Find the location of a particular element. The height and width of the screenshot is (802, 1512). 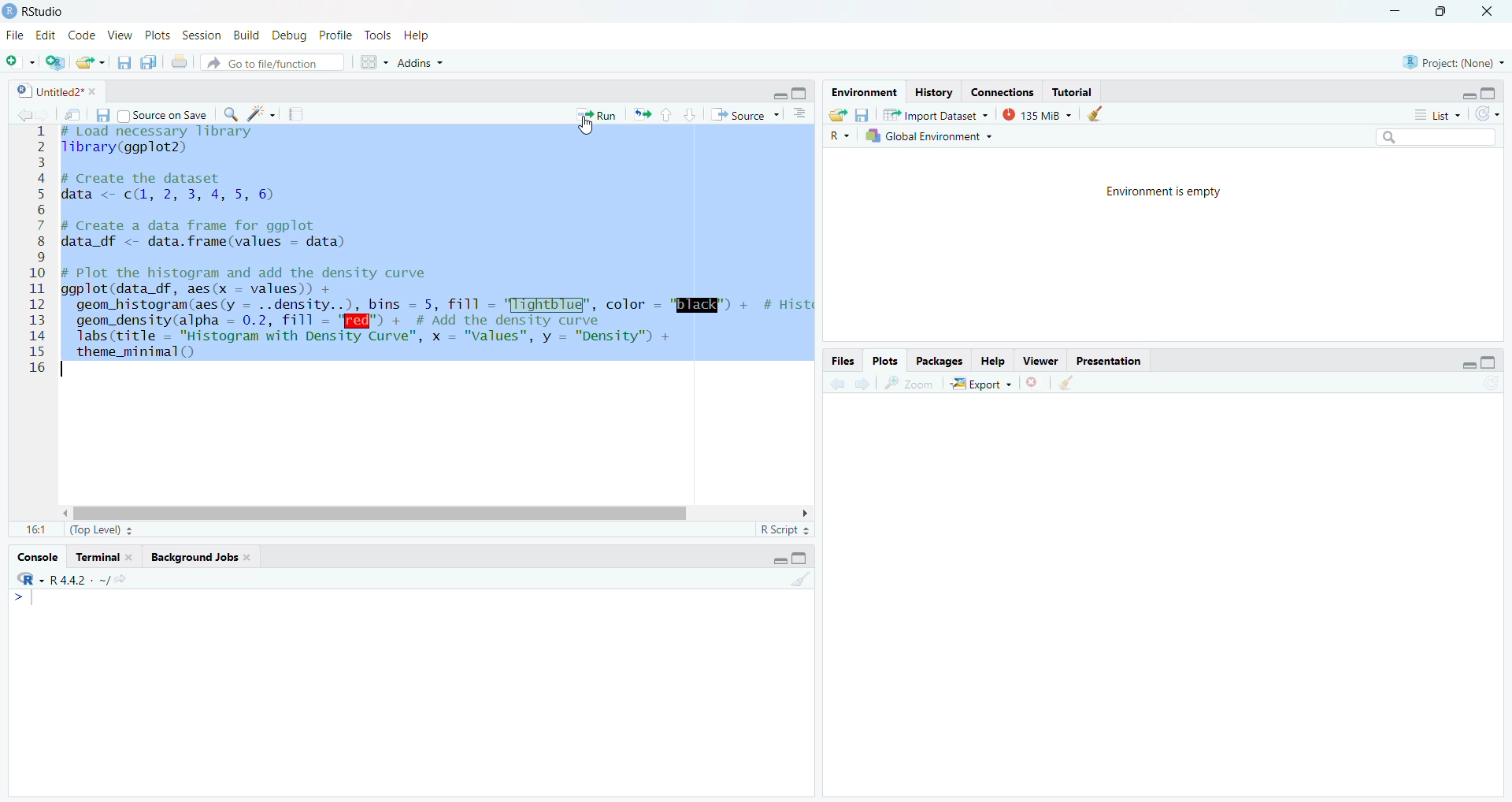

close is located at coordinates (129, 556).